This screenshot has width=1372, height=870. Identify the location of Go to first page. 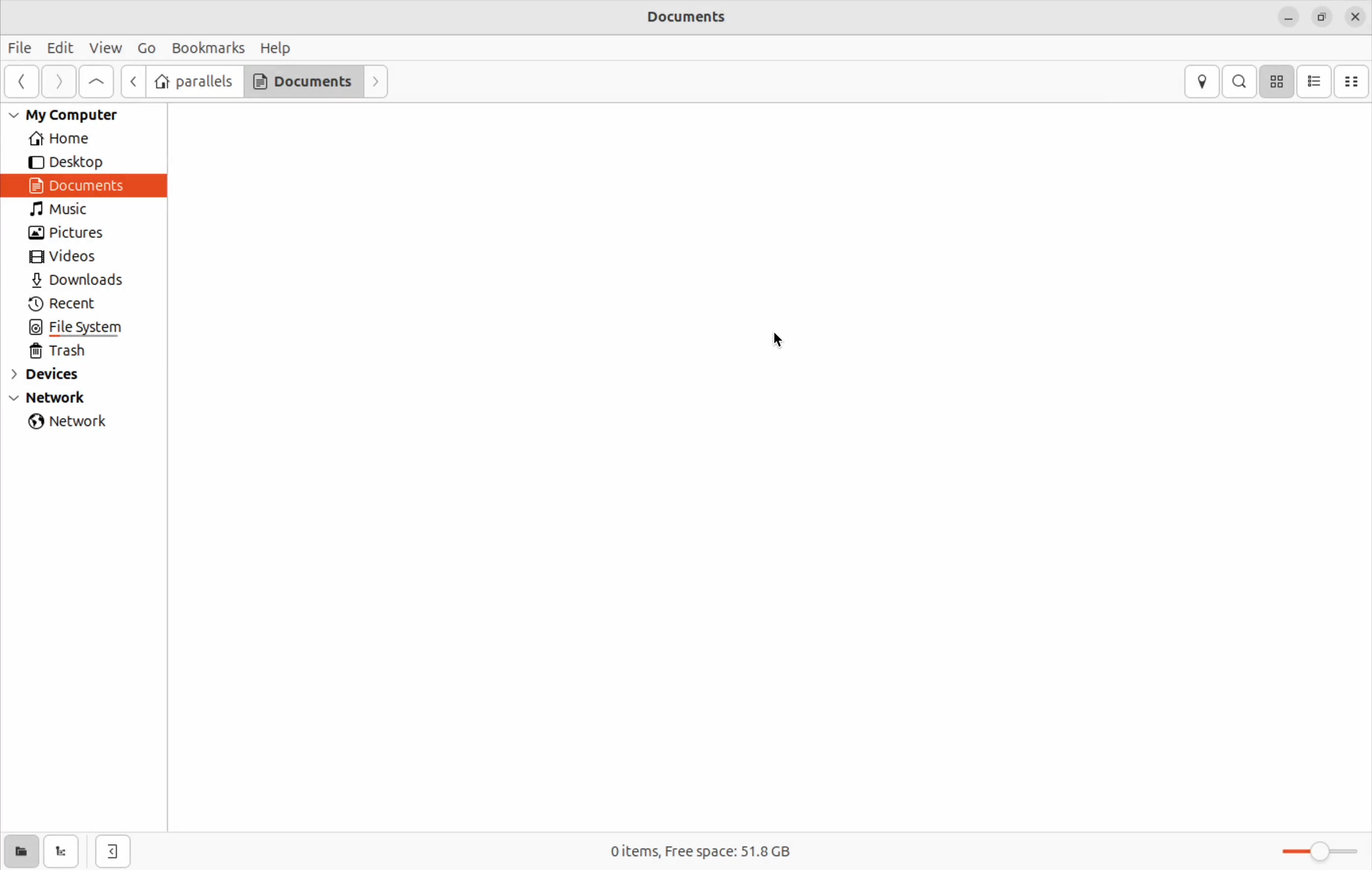
(96, 81).